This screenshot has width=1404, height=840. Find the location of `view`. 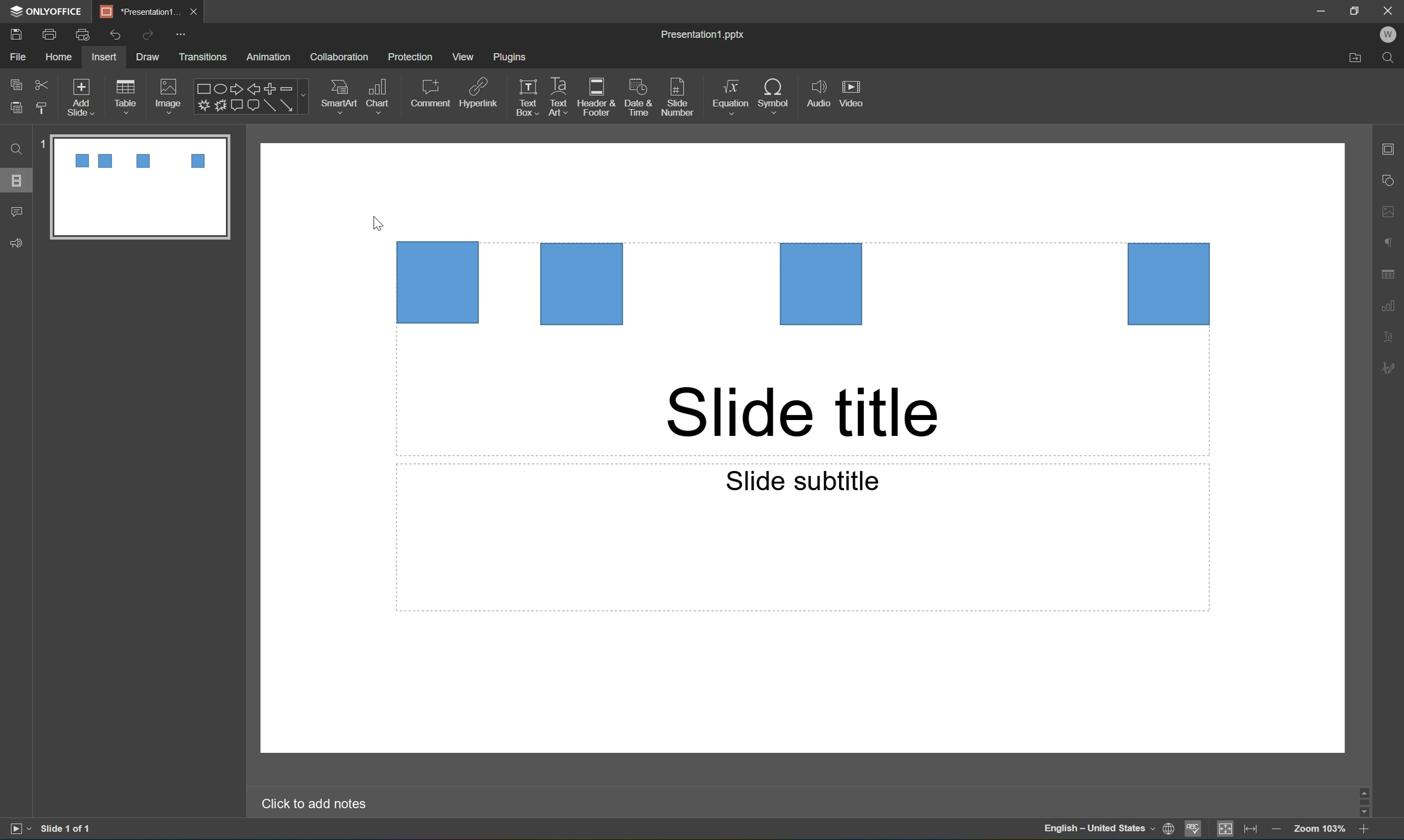

view is located at coordinates (461, 57).